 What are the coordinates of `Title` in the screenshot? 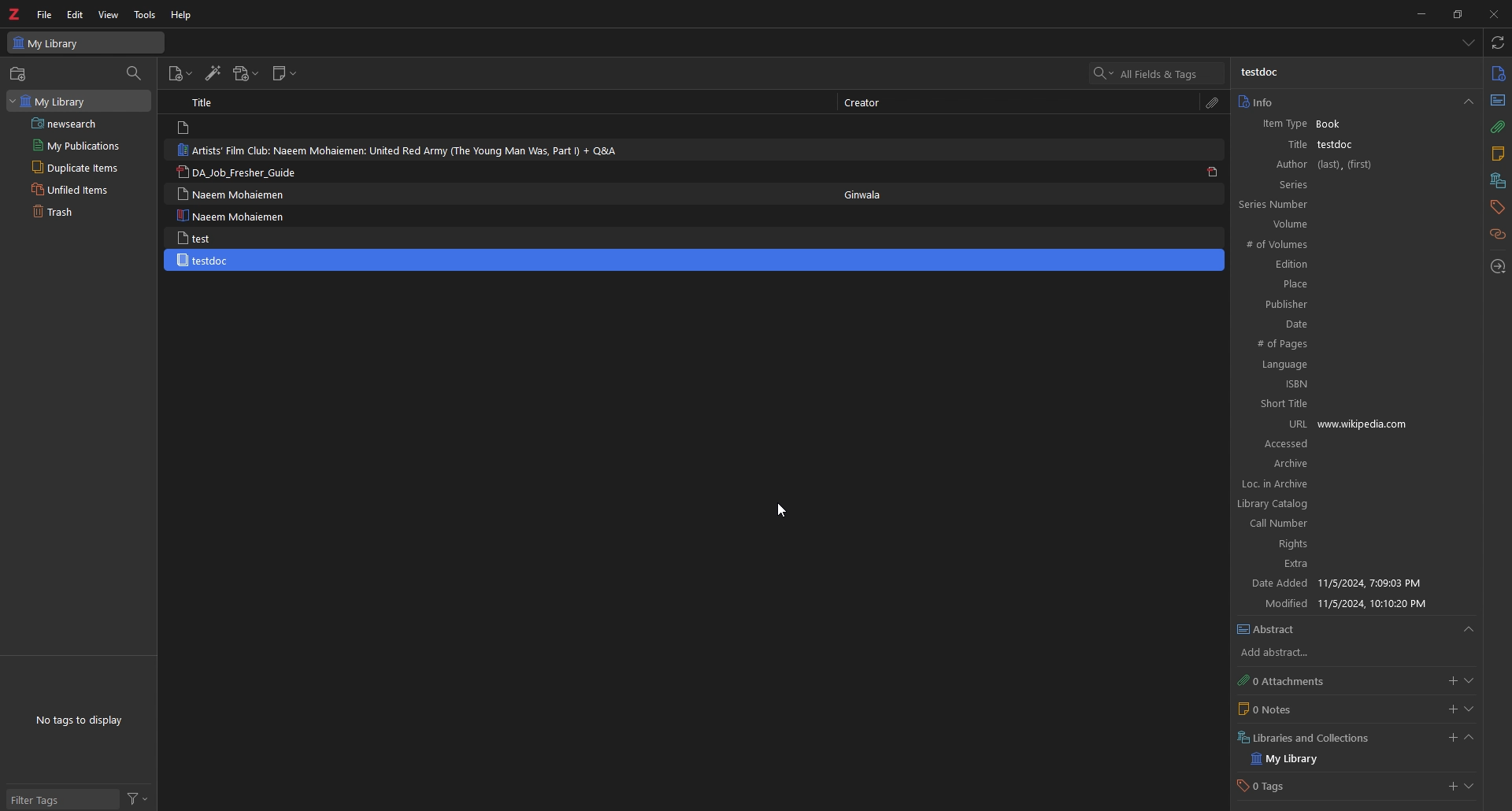 It's located at (209, 102).